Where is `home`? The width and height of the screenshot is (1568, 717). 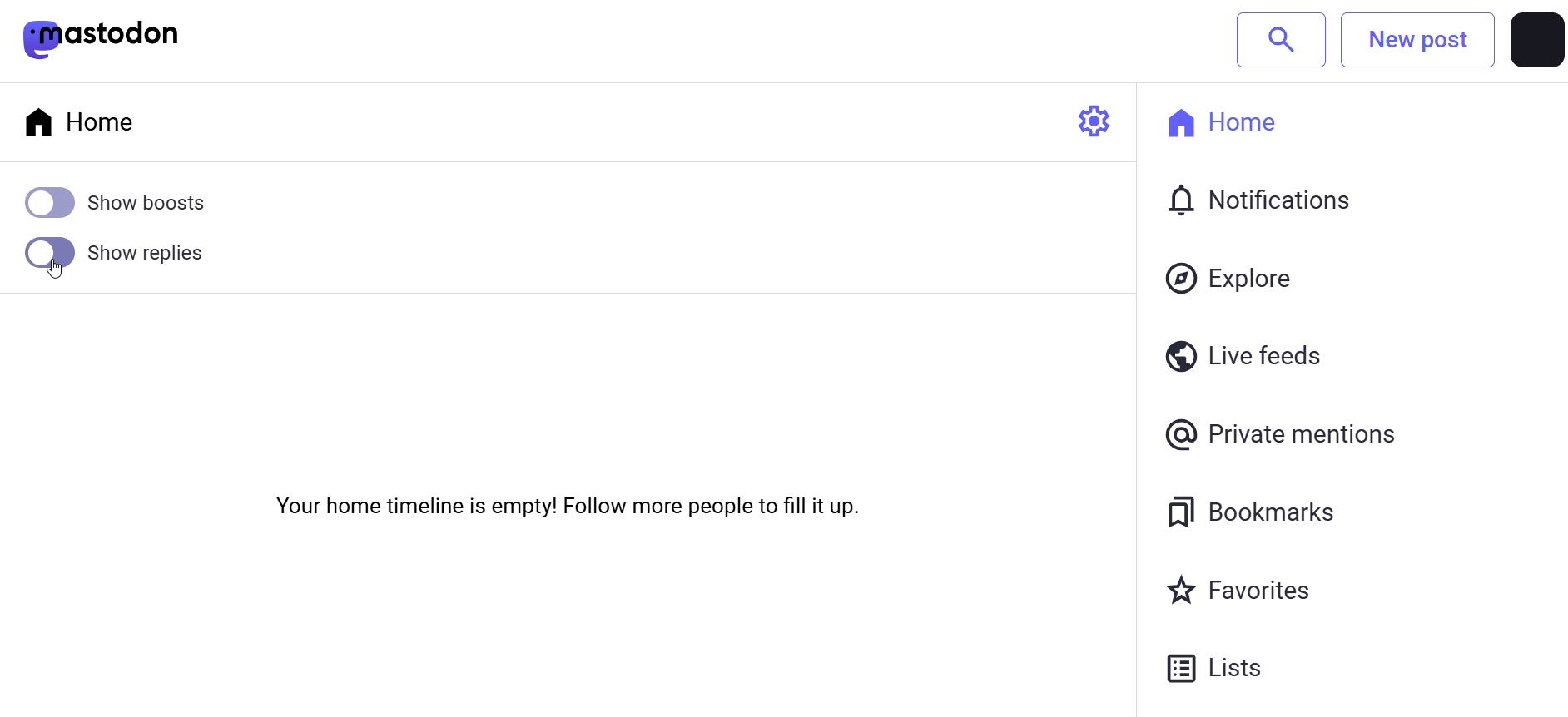 home is located at coordinates (1253, 122).